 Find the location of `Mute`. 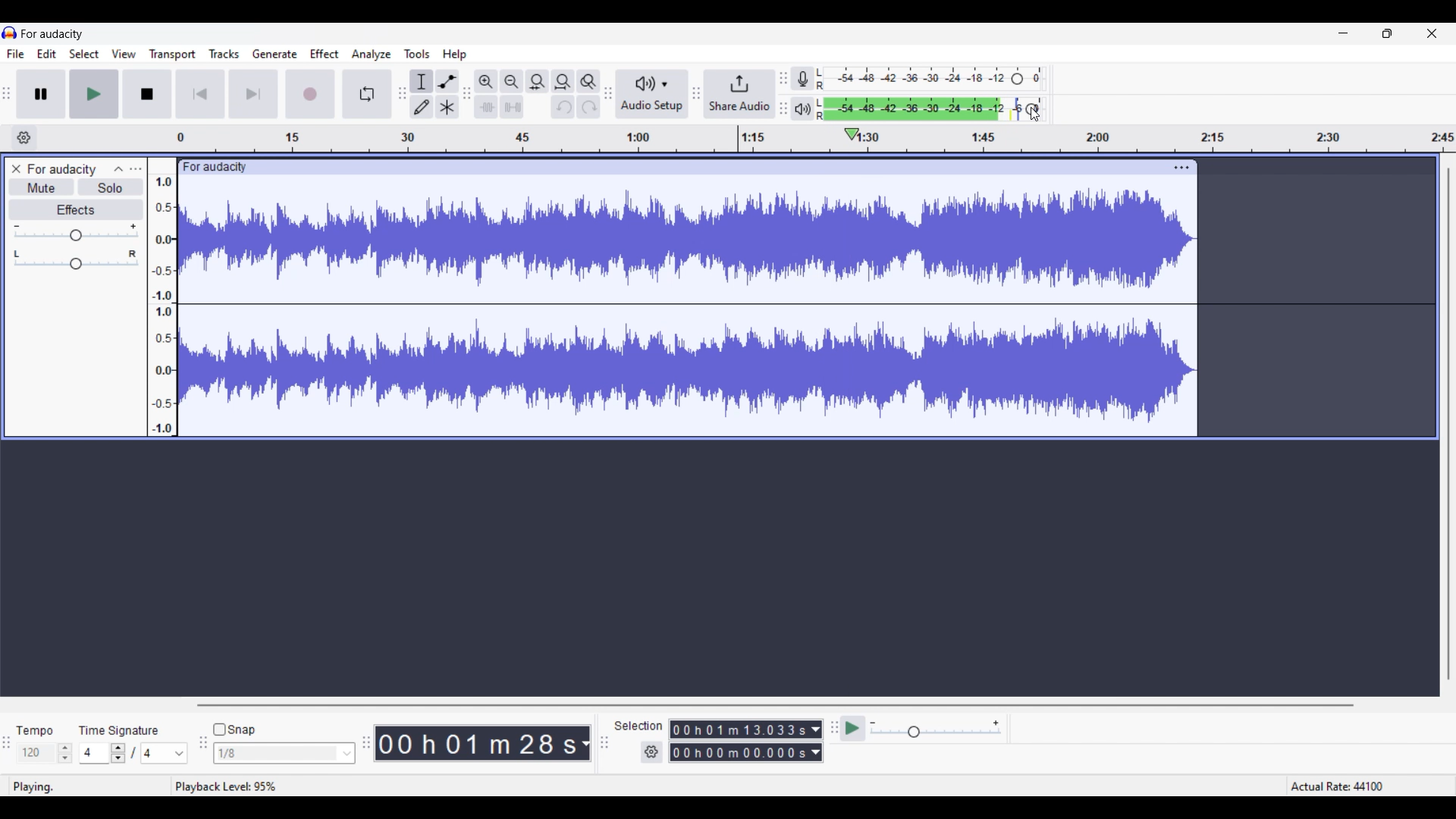

Mute is located at coordinates (42, 187).